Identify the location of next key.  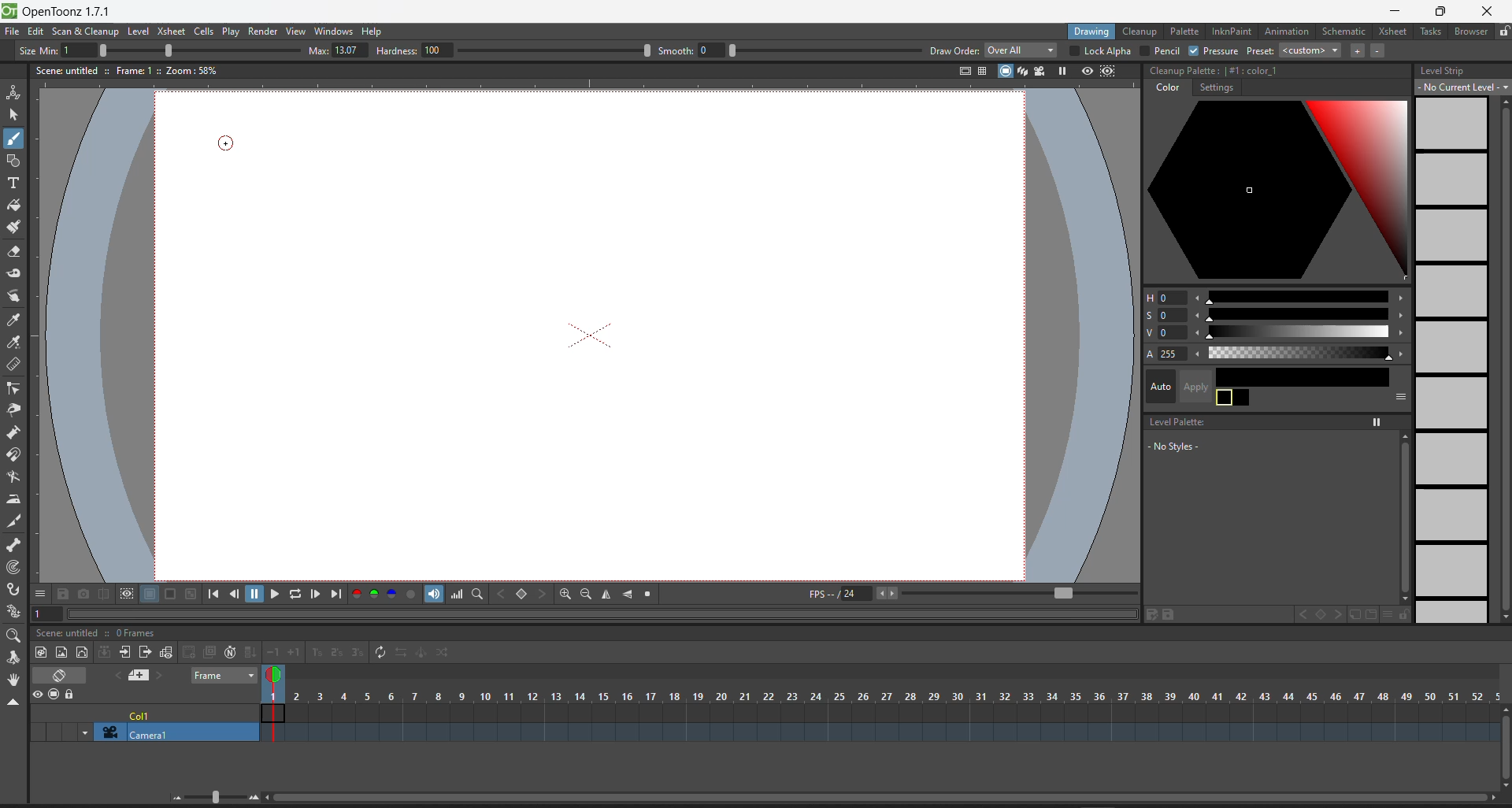
(543, 594).